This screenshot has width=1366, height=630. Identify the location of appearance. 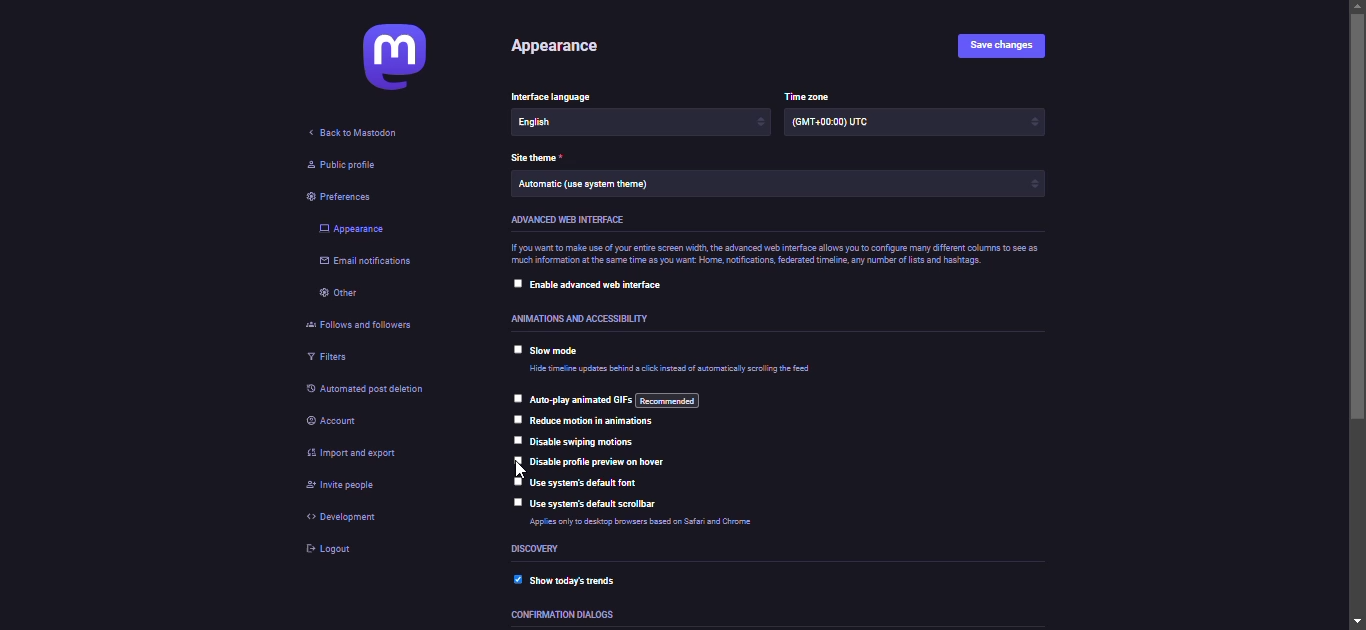
(353, 228).